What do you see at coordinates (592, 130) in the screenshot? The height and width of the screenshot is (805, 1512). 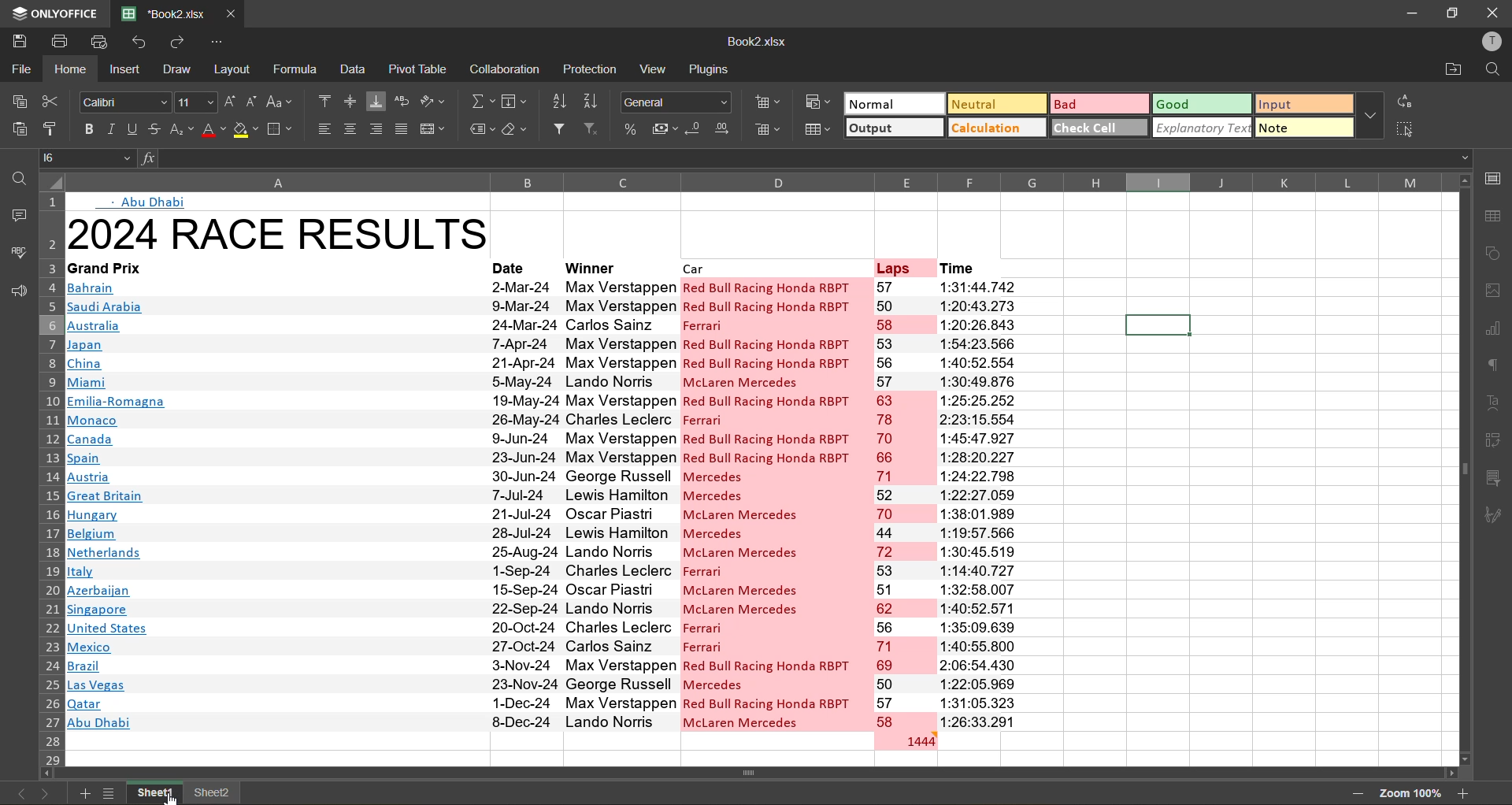 I see `clear filter` at bounding box center [592, 130].